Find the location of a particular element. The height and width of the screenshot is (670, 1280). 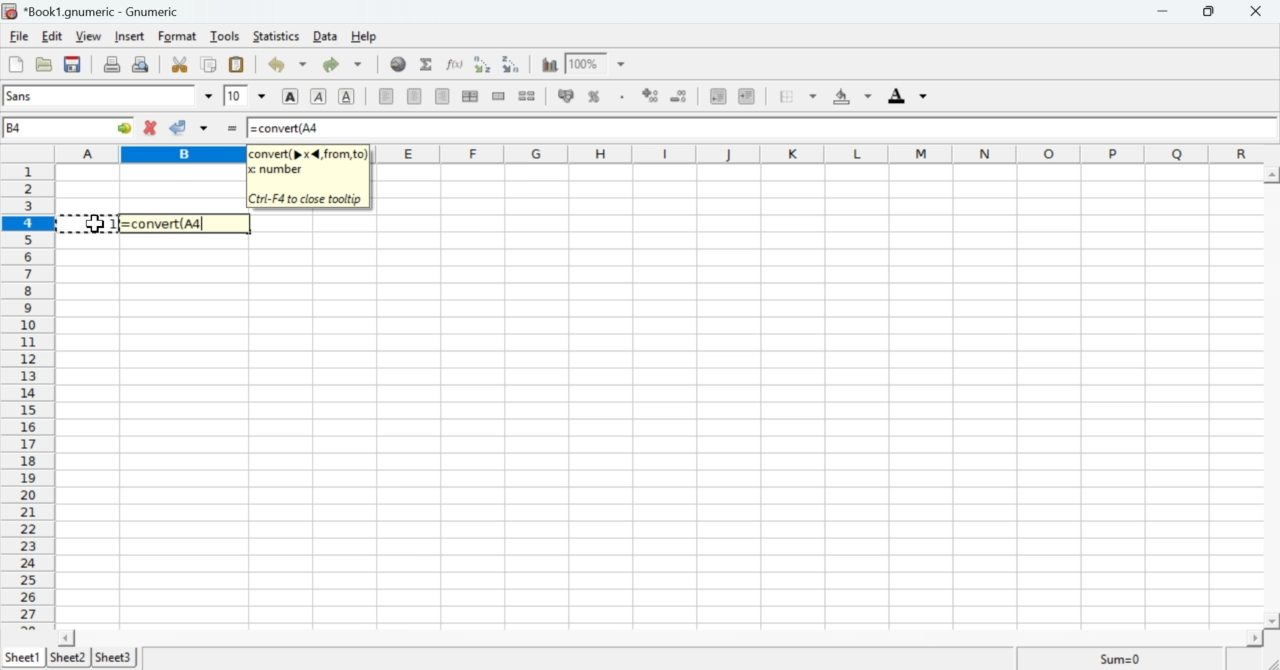

Foreground is located at coordinates (911, 96).